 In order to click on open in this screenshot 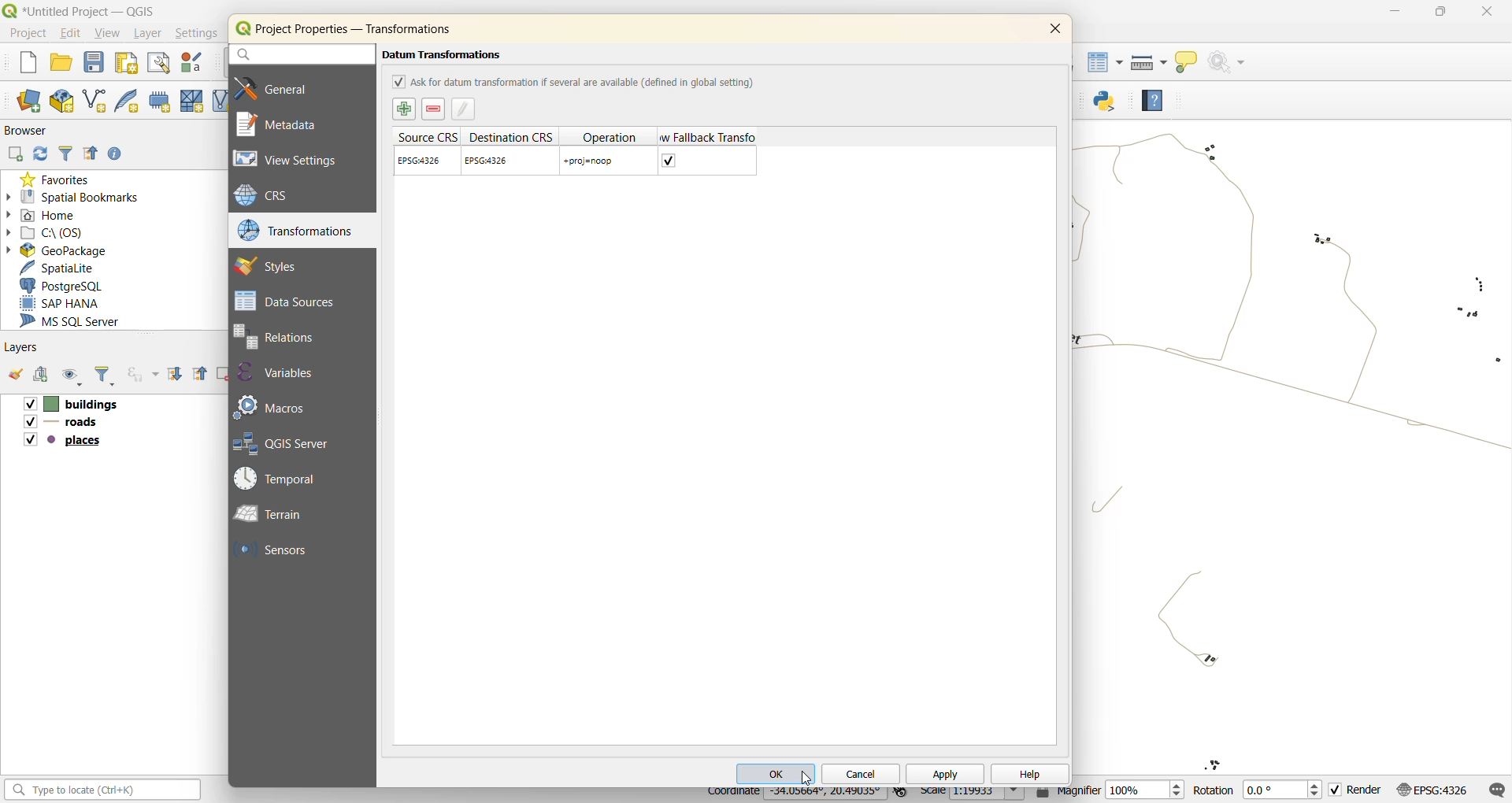, I will do `click(15, 373)`.